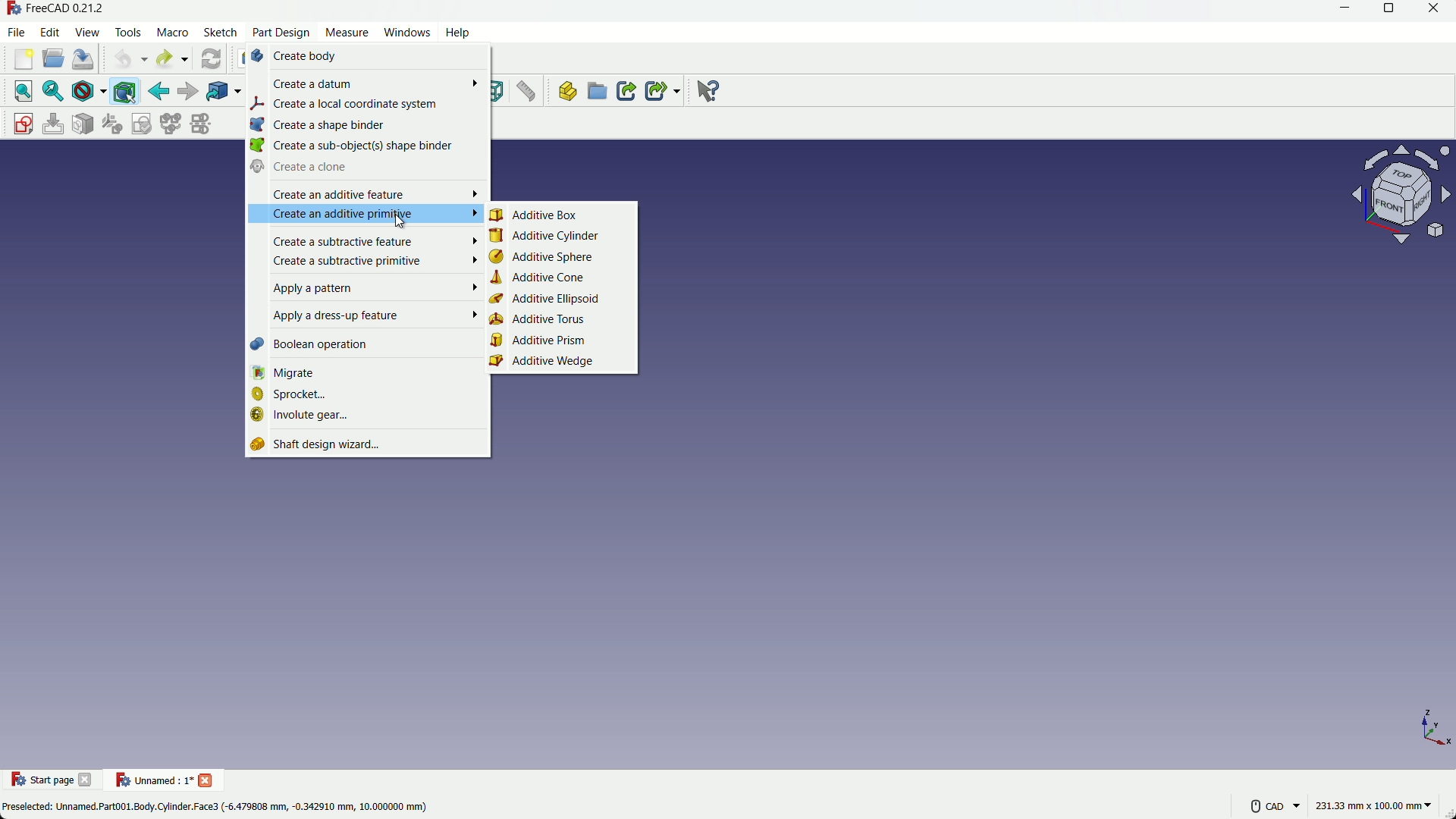 The image size is (1456, 819). I want to click on , so click(62, 10).